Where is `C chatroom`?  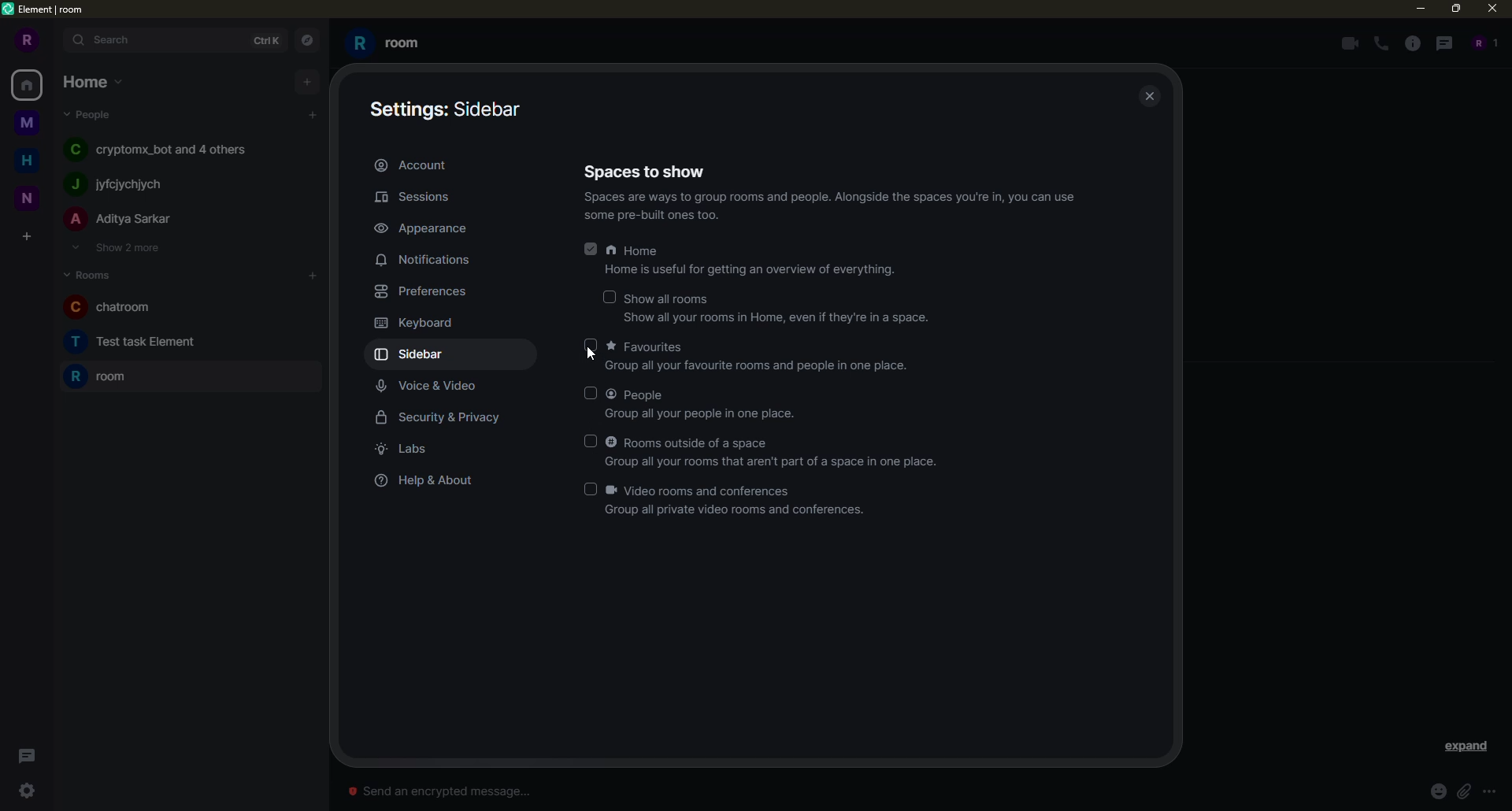 C chatroom is located at coordinates (109, 306).